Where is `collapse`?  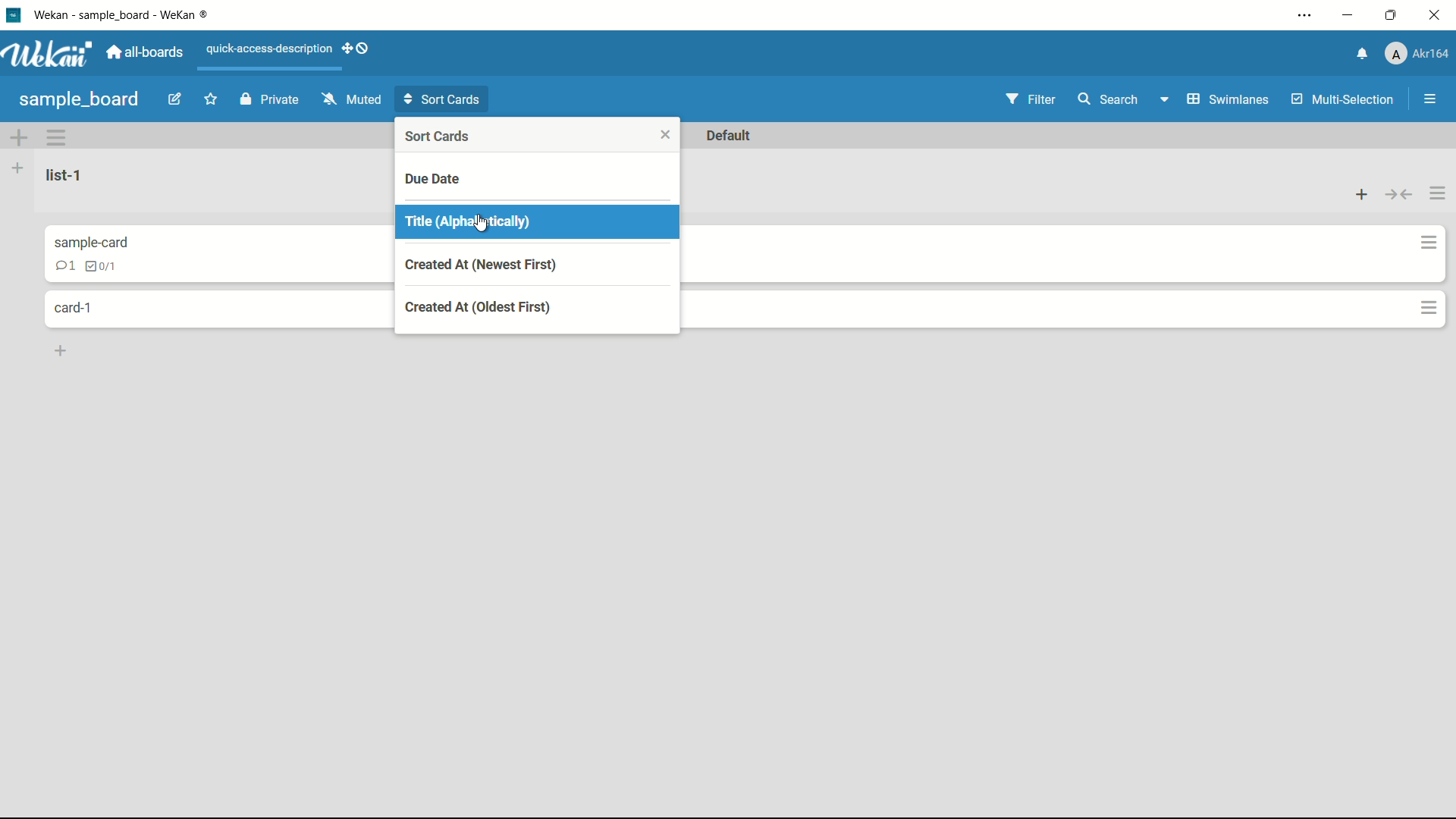 collapse is located at coordinates (1398, 196).